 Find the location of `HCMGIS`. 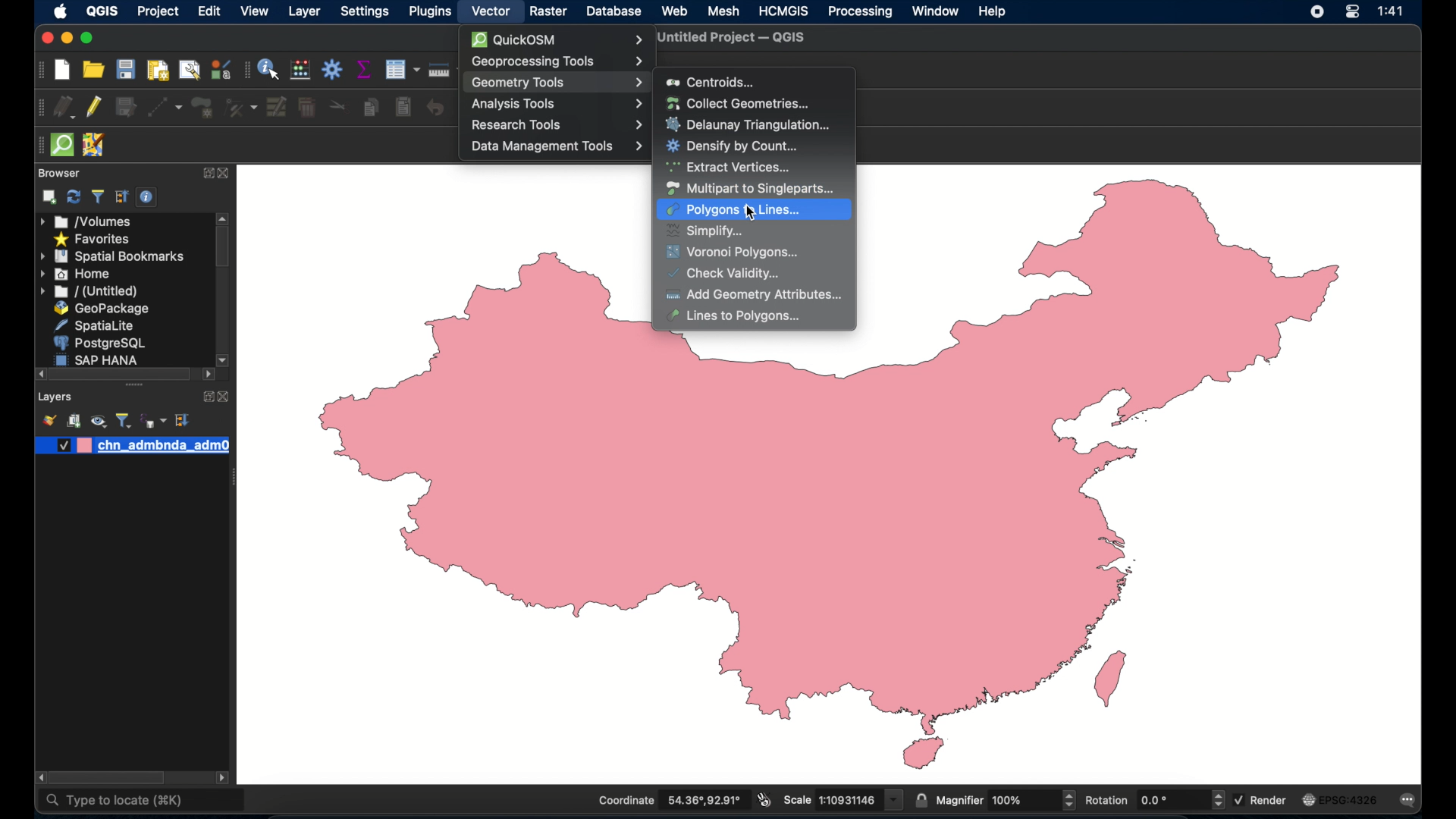

HCMGIS is located at coordinates (783, 11).